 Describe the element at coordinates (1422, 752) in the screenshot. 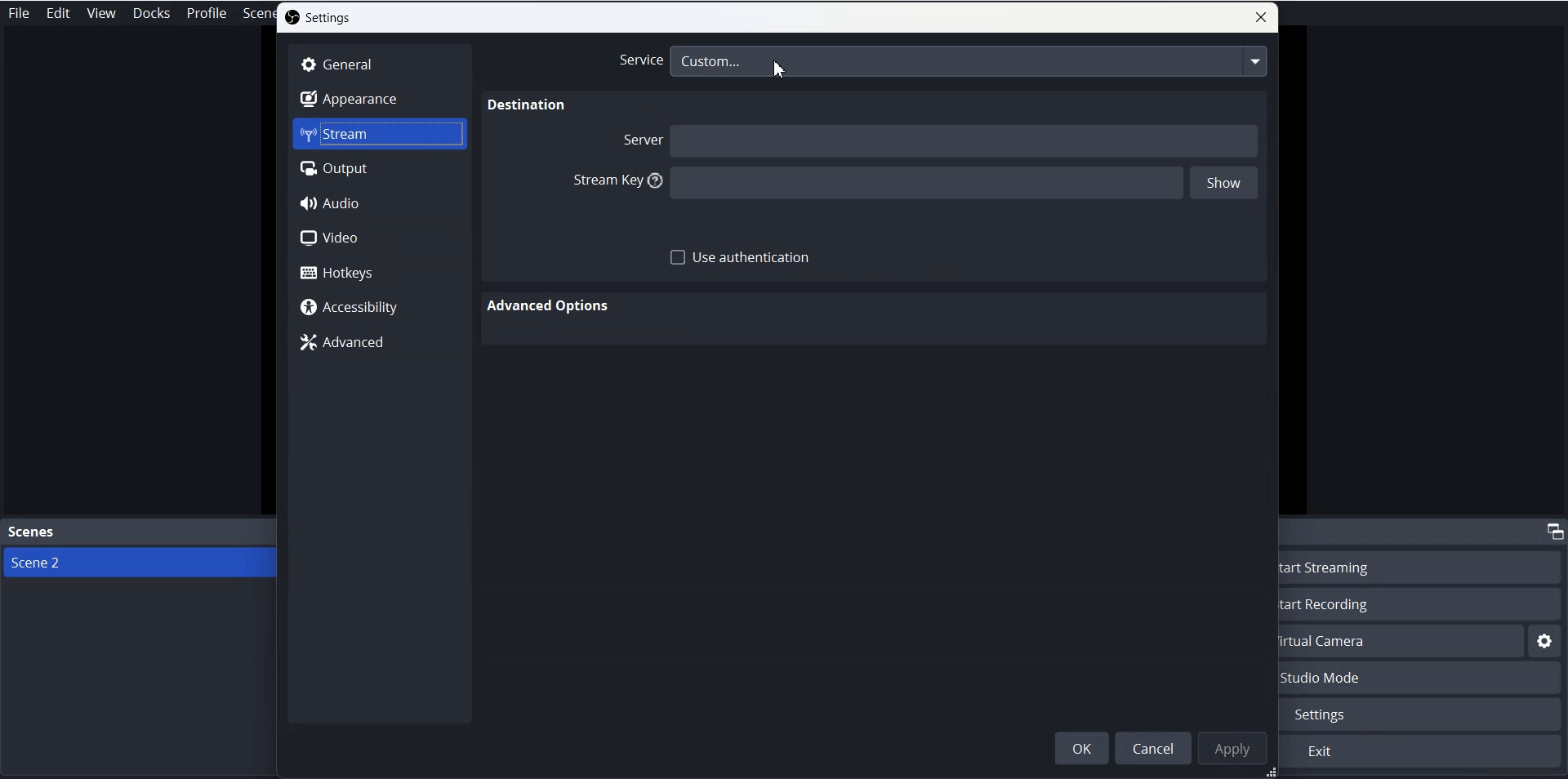

I see `Exit` at that location.